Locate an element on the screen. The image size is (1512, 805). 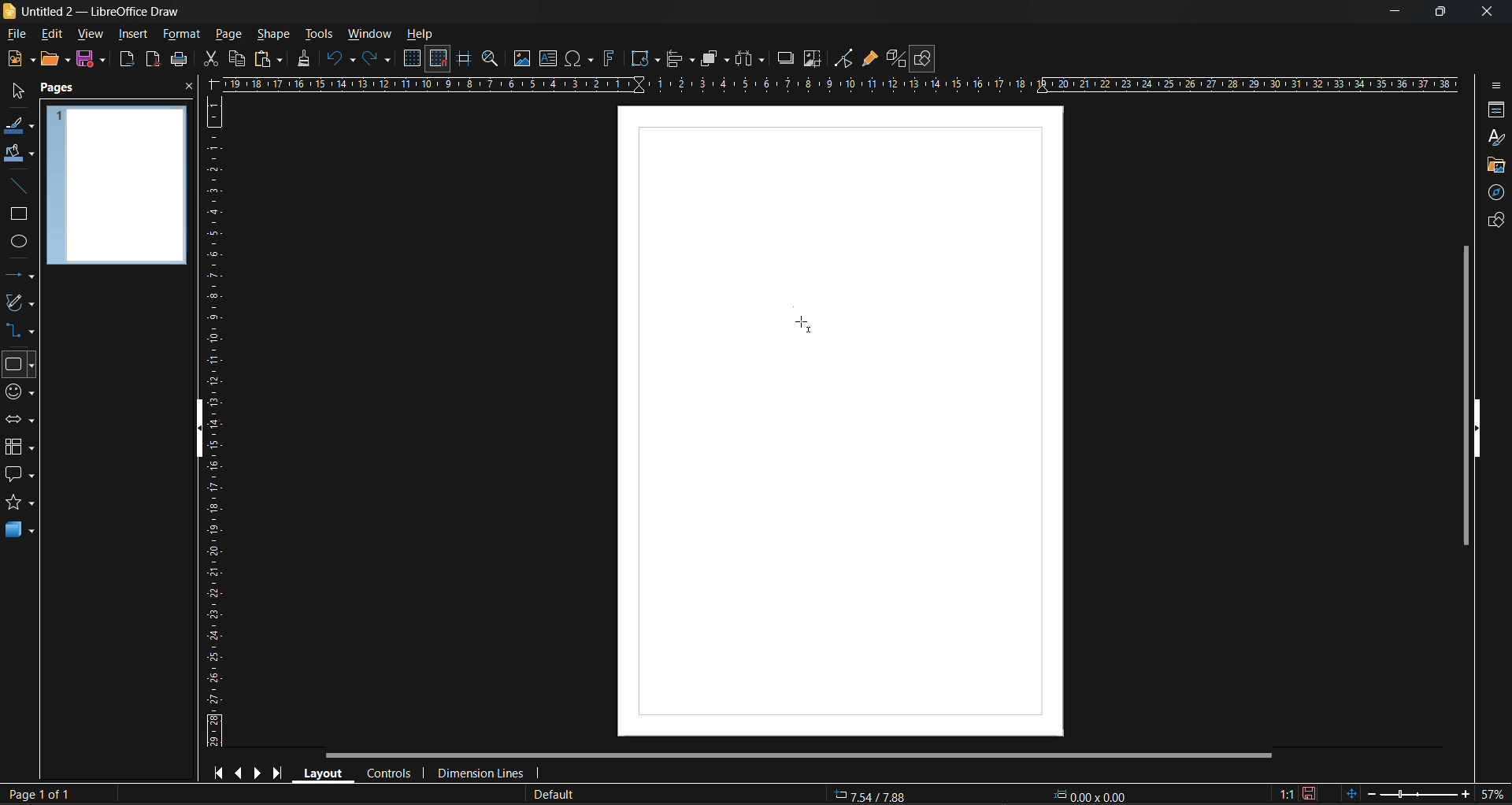
zoom factor is located at coordinates (1492, 793).